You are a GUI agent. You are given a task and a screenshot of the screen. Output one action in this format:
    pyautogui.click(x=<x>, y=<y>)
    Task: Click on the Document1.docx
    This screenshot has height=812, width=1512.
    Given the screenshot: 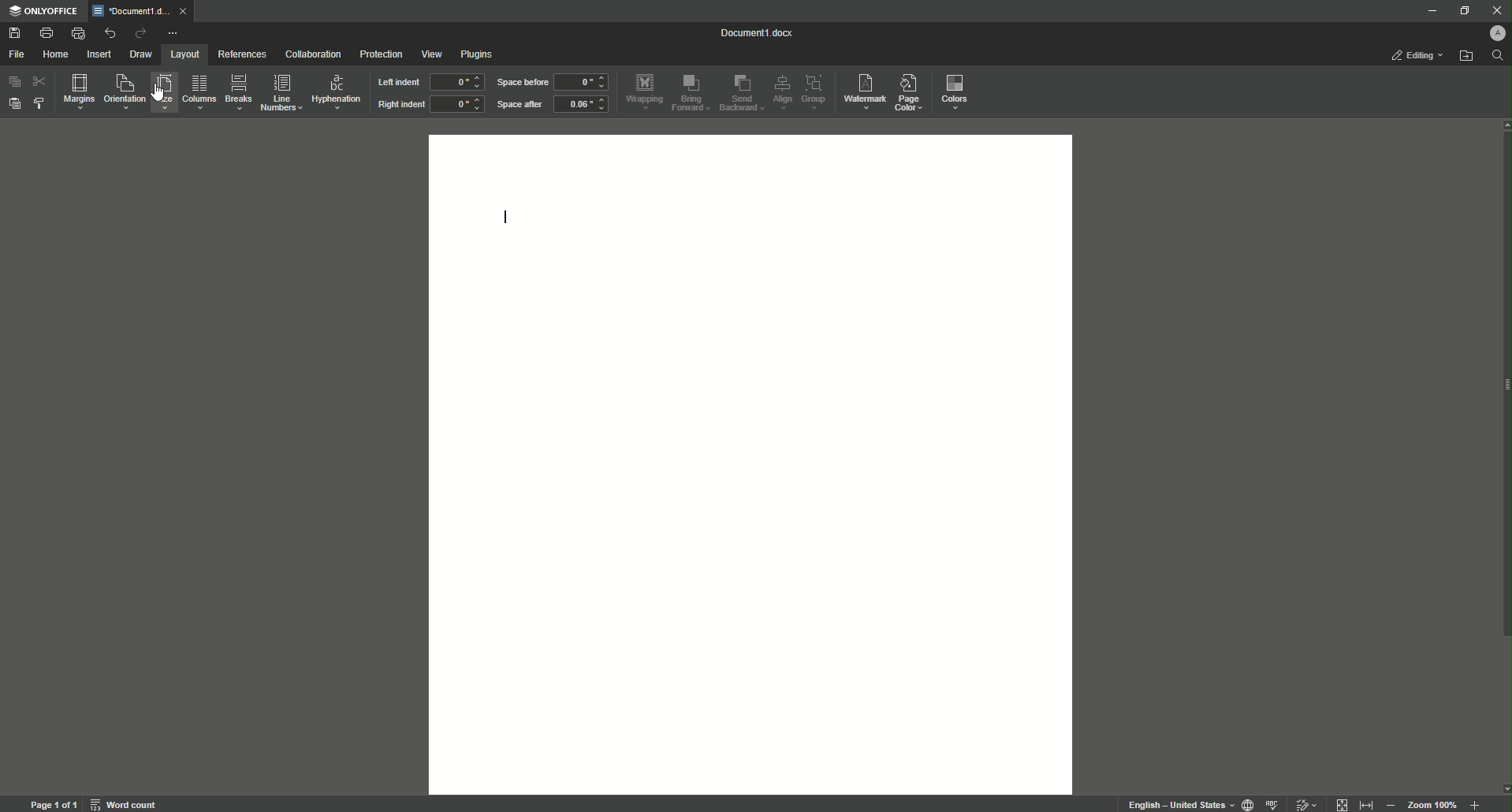 What is the action you would take?
    pyautogui.click(x=758, y=35)
    